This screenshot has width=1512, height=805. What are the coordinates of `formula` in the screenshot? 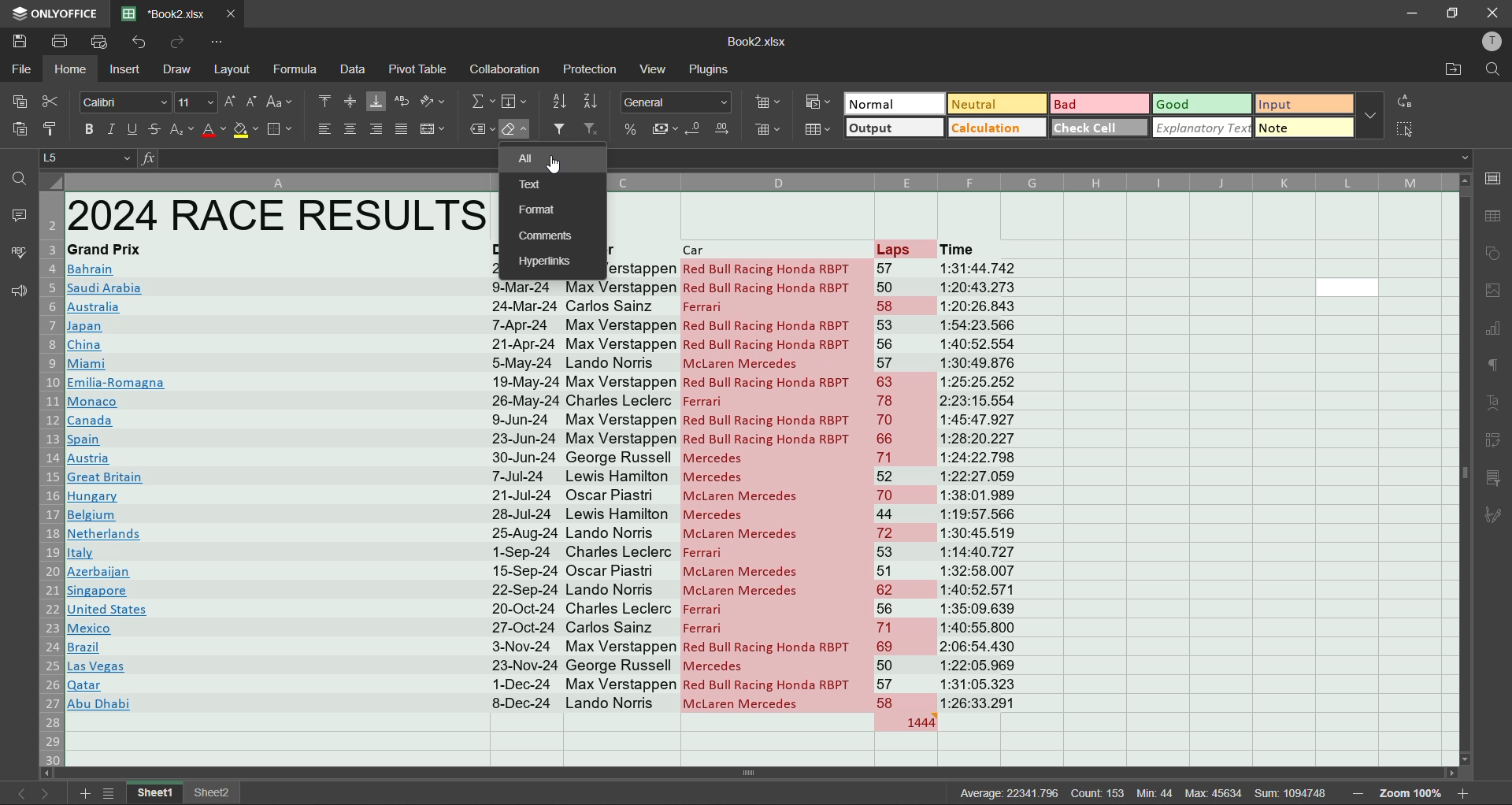 It's located at (298, 70).